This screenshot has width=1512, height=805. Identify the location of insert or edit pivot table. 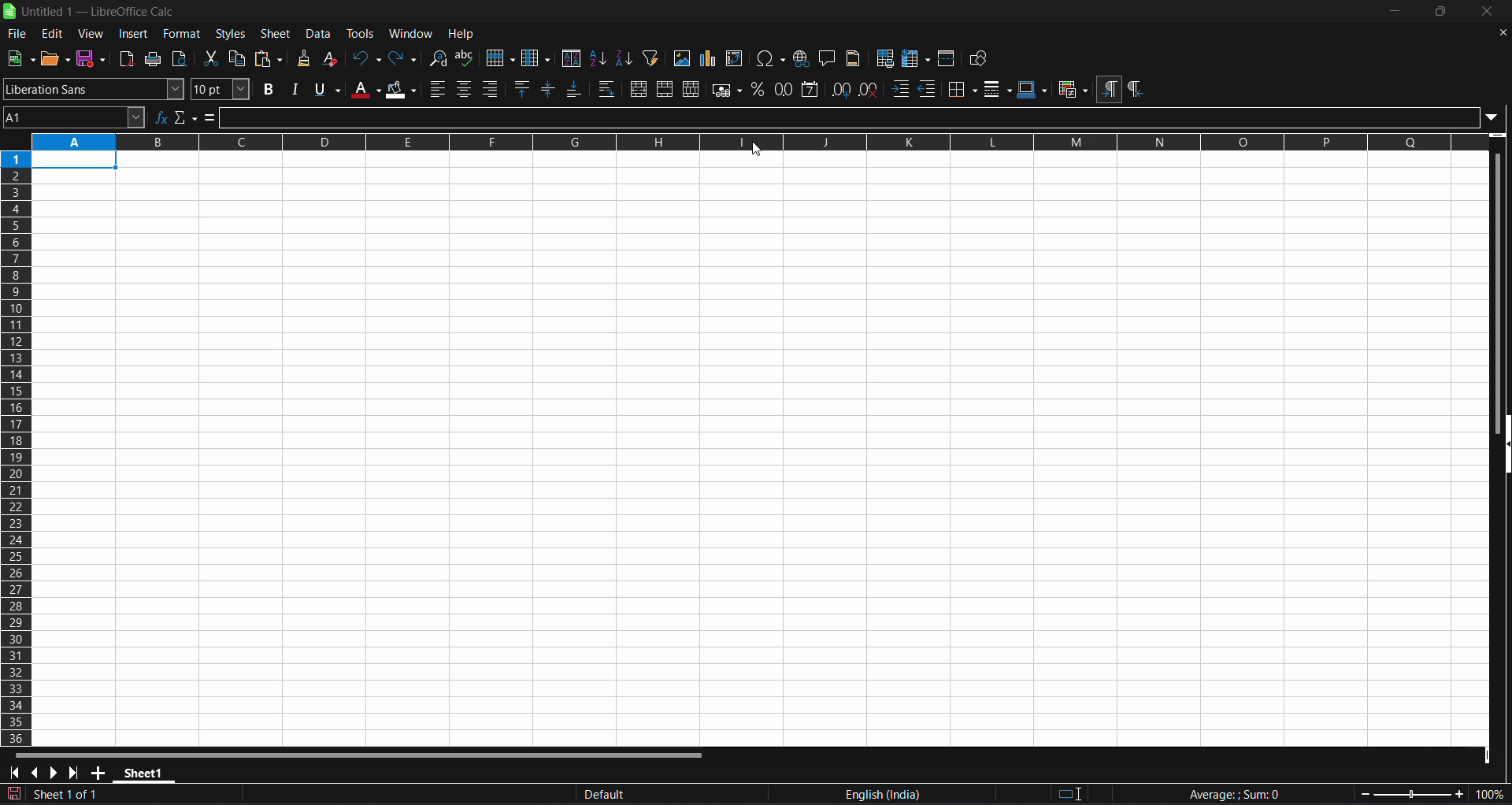
(735, 58).